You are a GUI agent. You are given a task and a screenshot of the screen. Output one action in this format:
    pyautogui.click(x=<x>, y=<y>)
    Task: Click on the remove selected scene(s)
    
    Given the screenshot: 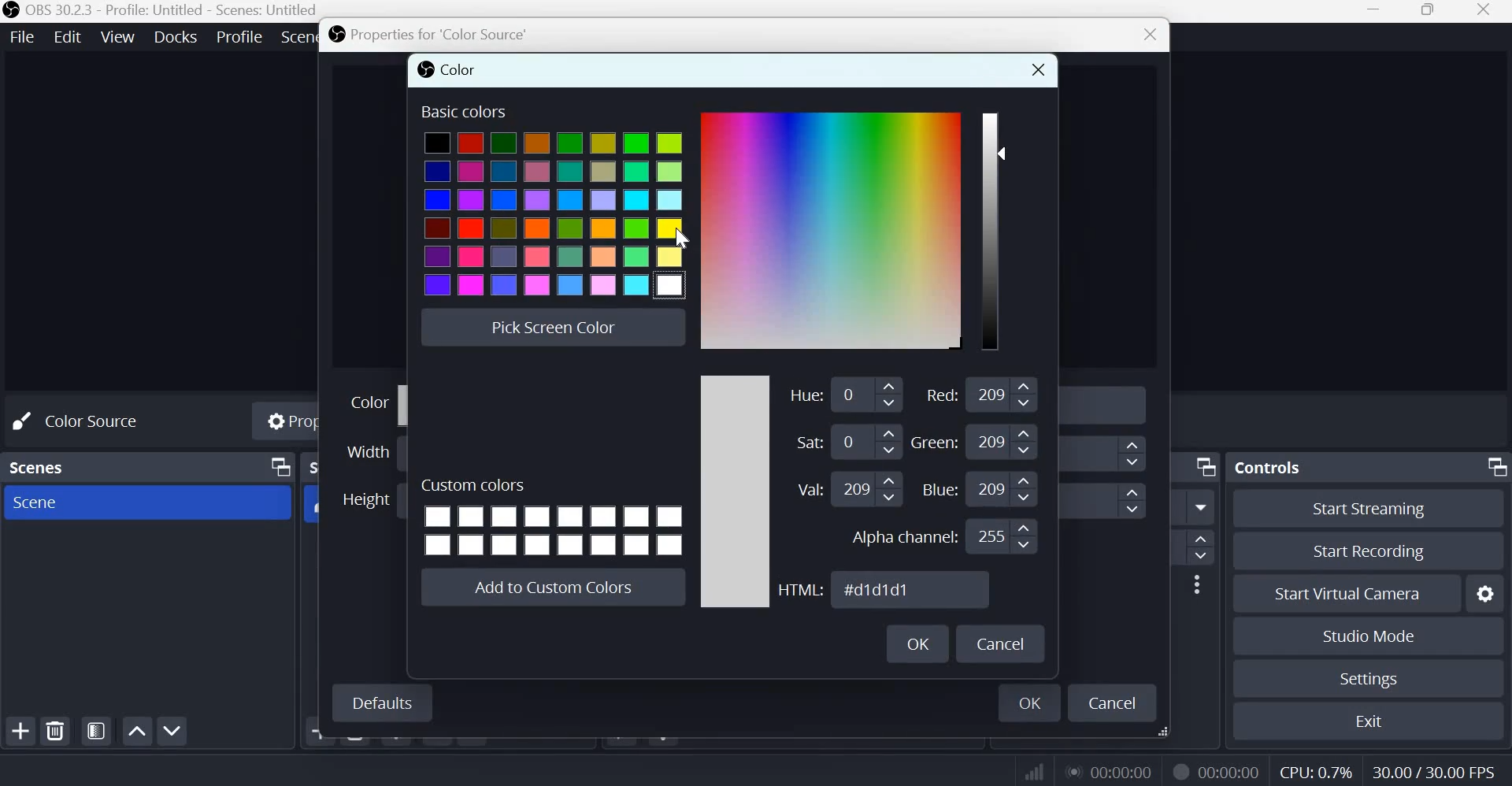 What is the action you would take?
    pyautogui.click(x=58, y=731)
    